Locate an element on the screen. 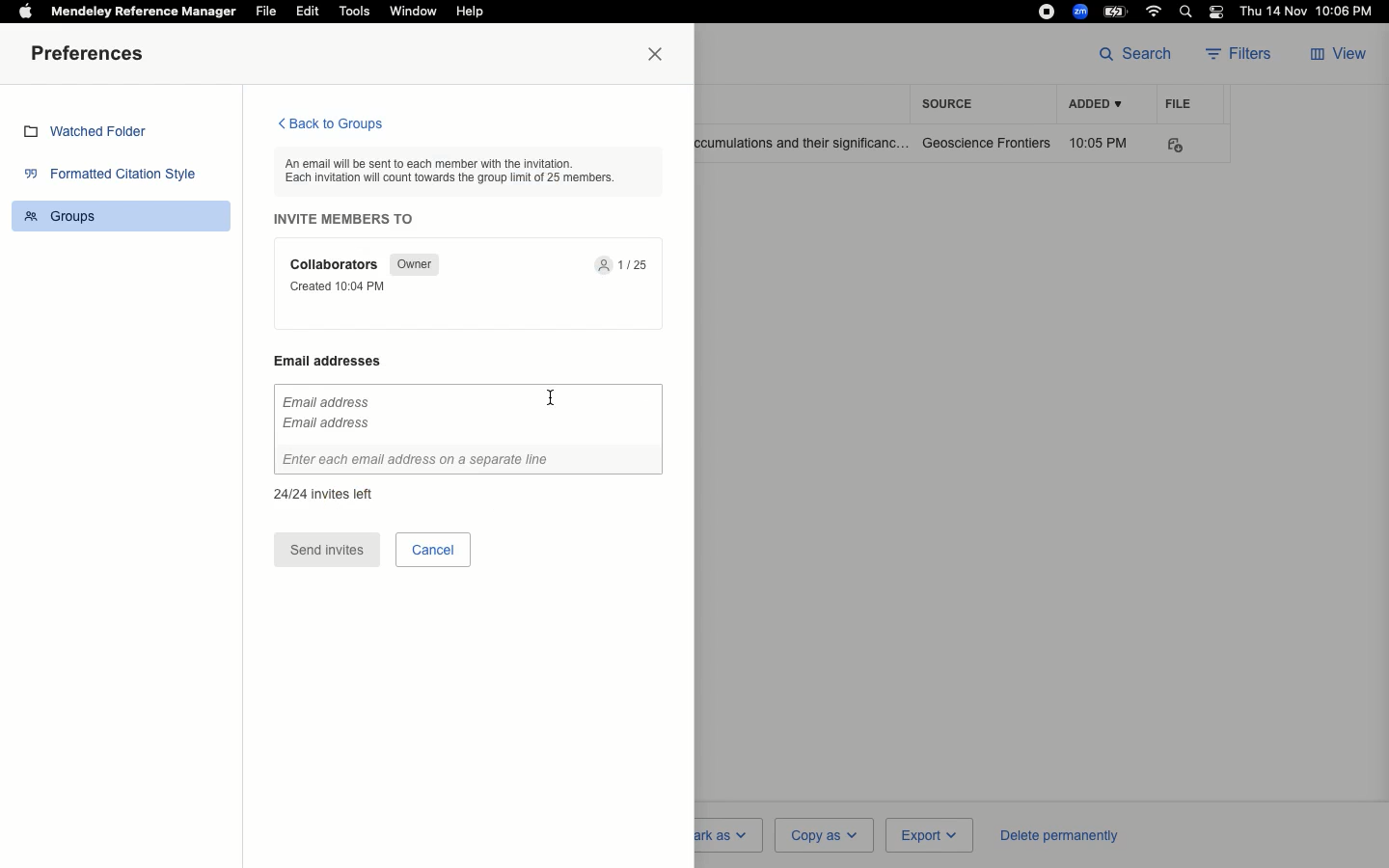 The image size is (1389, 868). Edit is located at coordinates (308, 11).